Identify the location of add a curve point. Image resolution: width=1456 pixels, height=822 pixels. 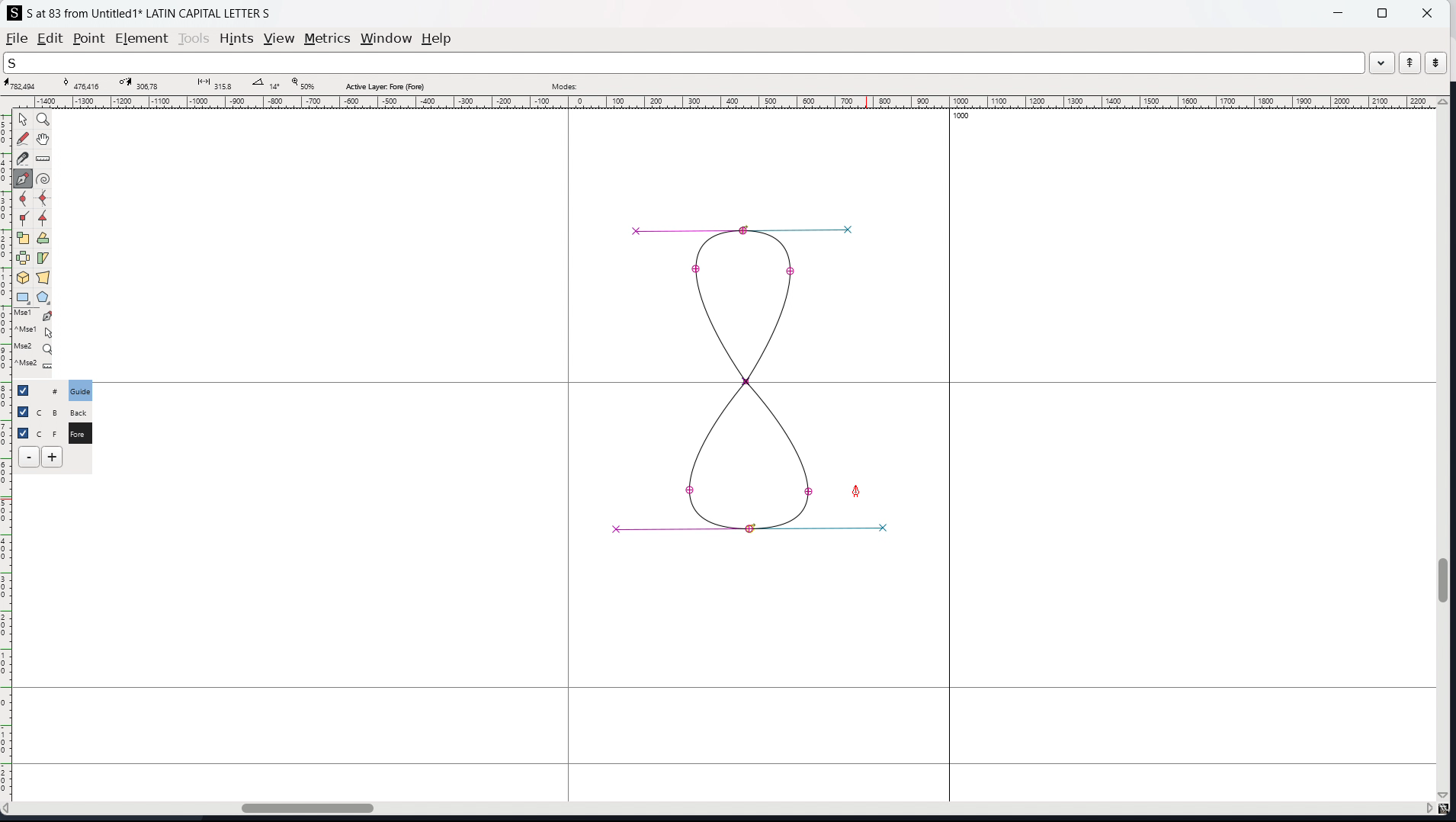
(24, 199).